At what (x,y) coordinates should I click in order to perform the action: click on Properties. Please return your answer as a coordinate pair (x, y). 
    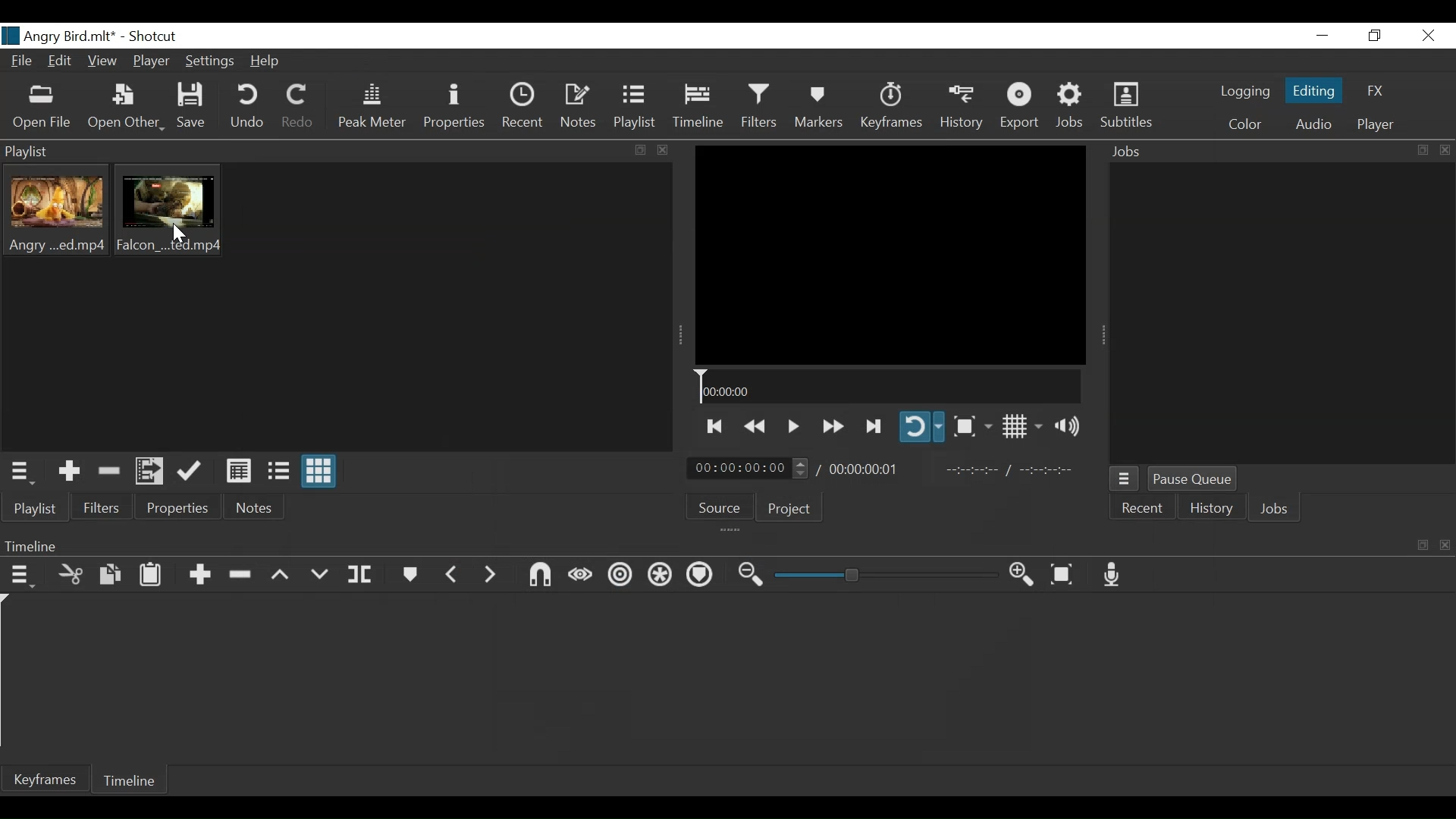
    Looking at the image, I should click on (175, 507).